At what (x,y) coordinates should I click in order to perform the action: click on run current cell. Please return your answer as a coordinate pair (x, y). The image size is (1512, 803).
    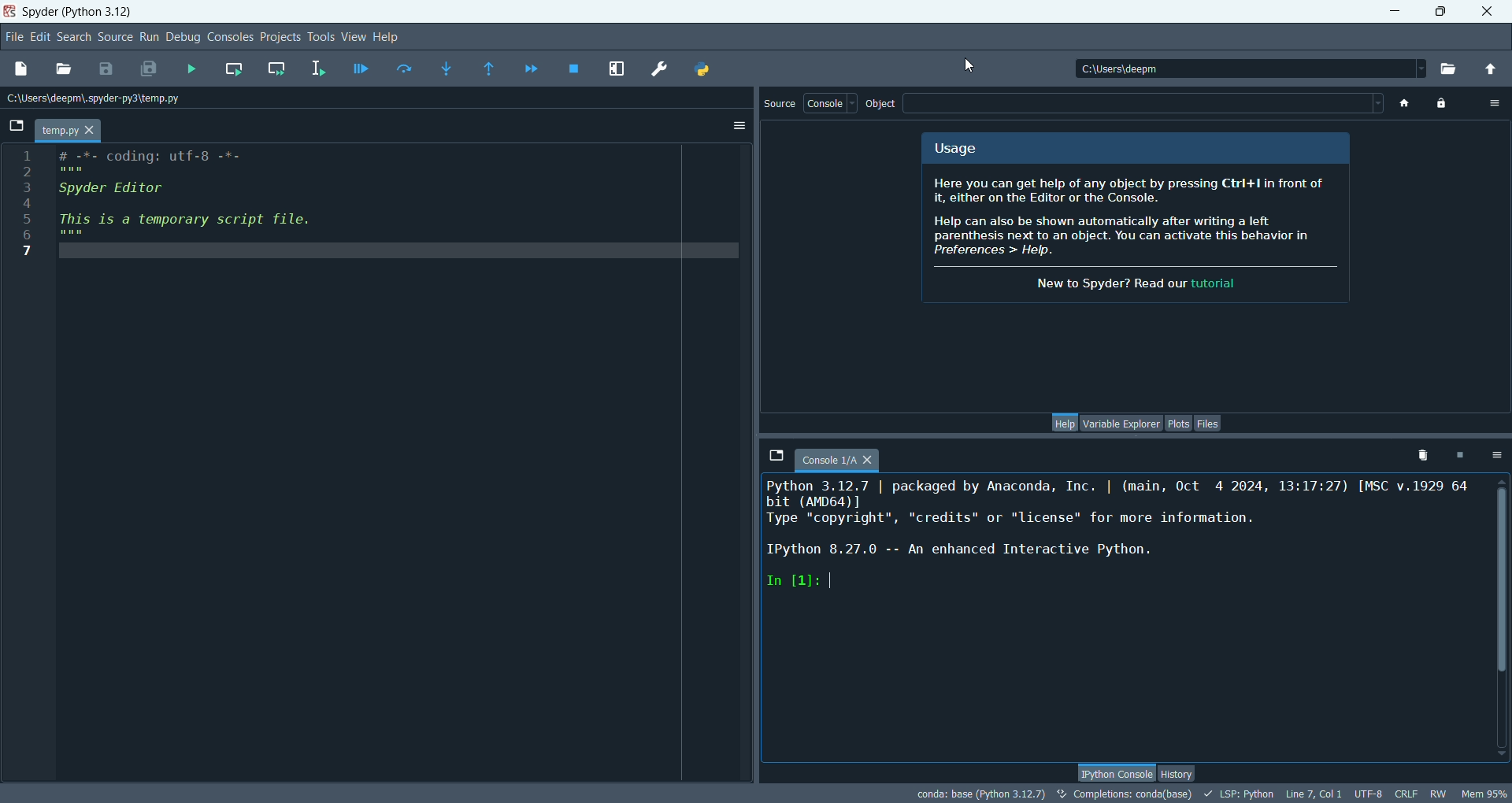
    Looking at the image, I should click on (234, 68).